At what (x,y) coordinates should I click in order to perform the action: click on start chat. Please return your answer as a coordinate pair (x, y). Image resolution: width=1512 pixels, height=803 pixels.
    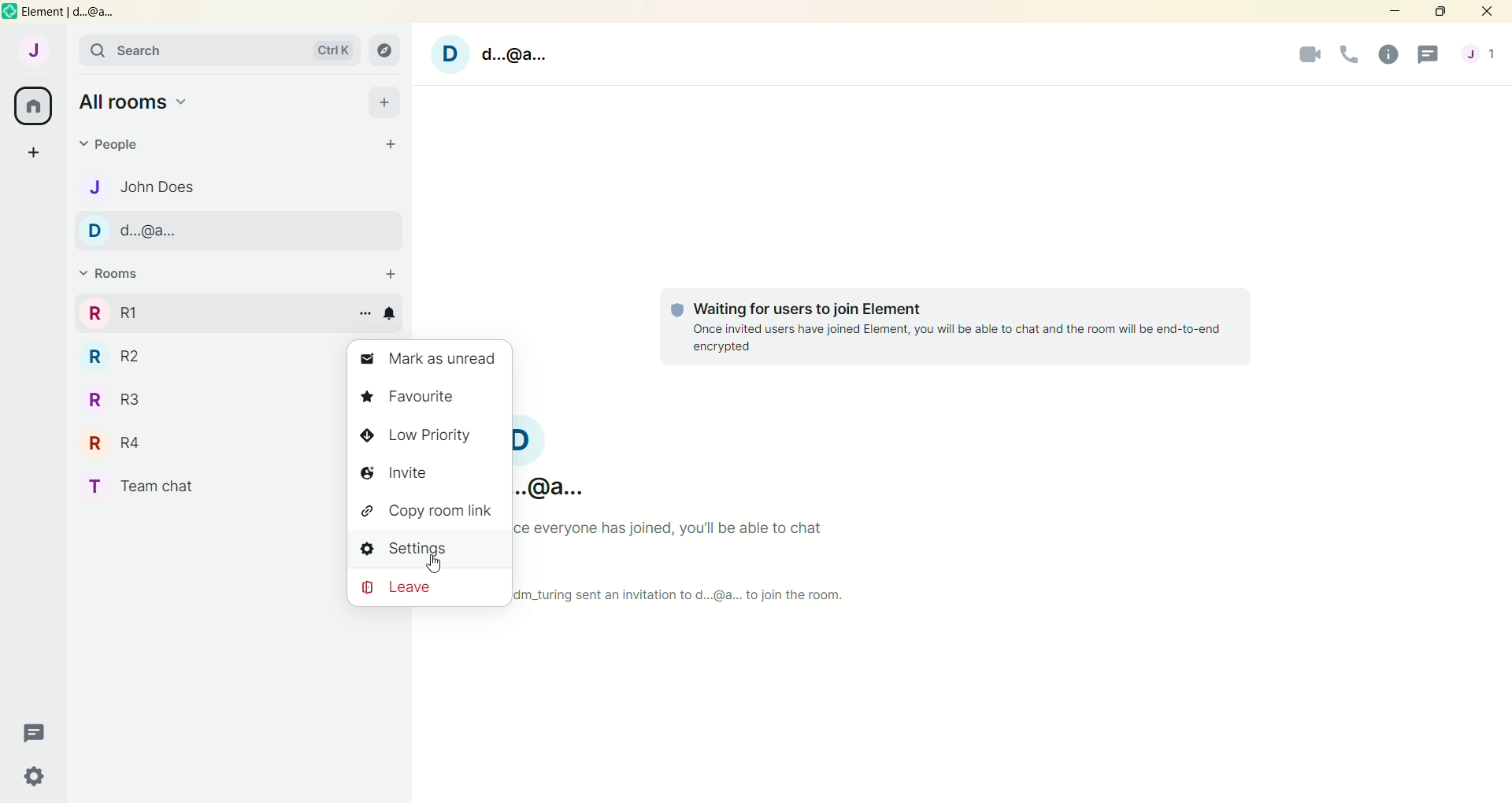
    Looking at the image, I should click on (394, 147).